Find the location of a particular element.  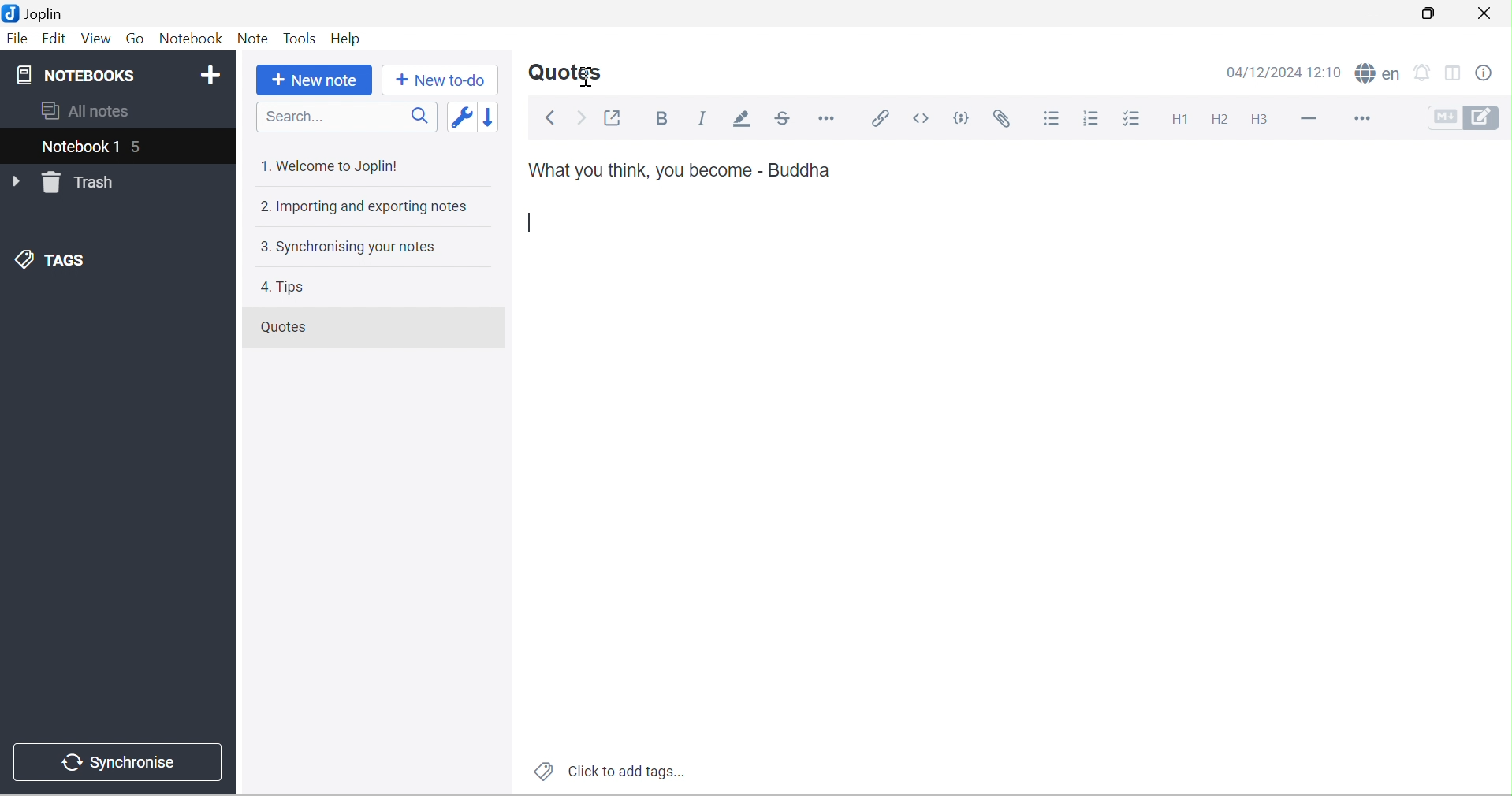

Drop Down is located at coordinates (17, 182).